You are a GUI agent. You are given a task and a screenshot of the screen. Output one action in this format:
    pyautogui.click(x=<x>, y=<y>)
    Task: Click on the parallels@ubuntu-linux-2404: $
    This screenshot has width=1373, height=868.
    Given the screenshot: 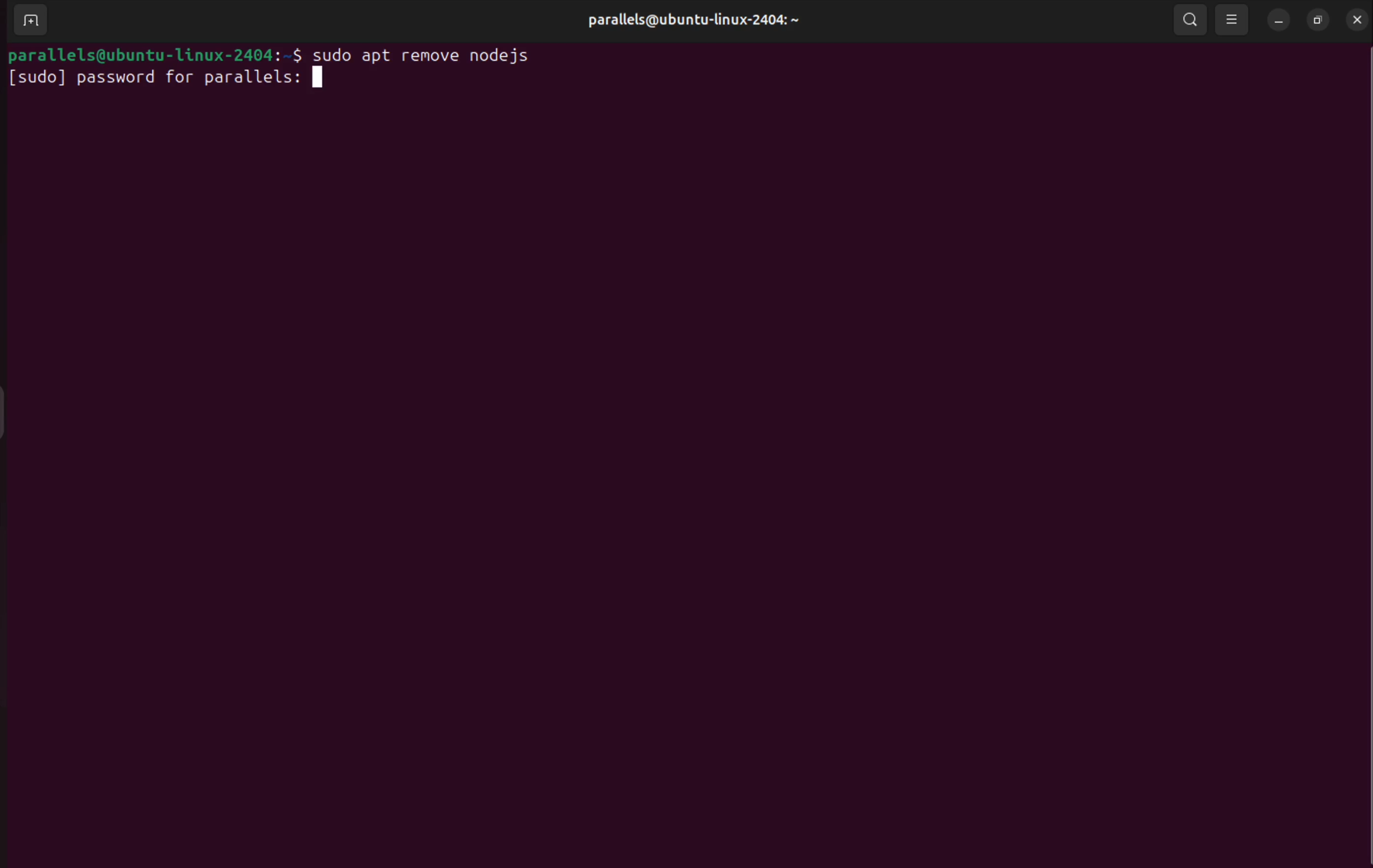 What is the action you would take?
    pyautogui.click(x=153, y=54)
    